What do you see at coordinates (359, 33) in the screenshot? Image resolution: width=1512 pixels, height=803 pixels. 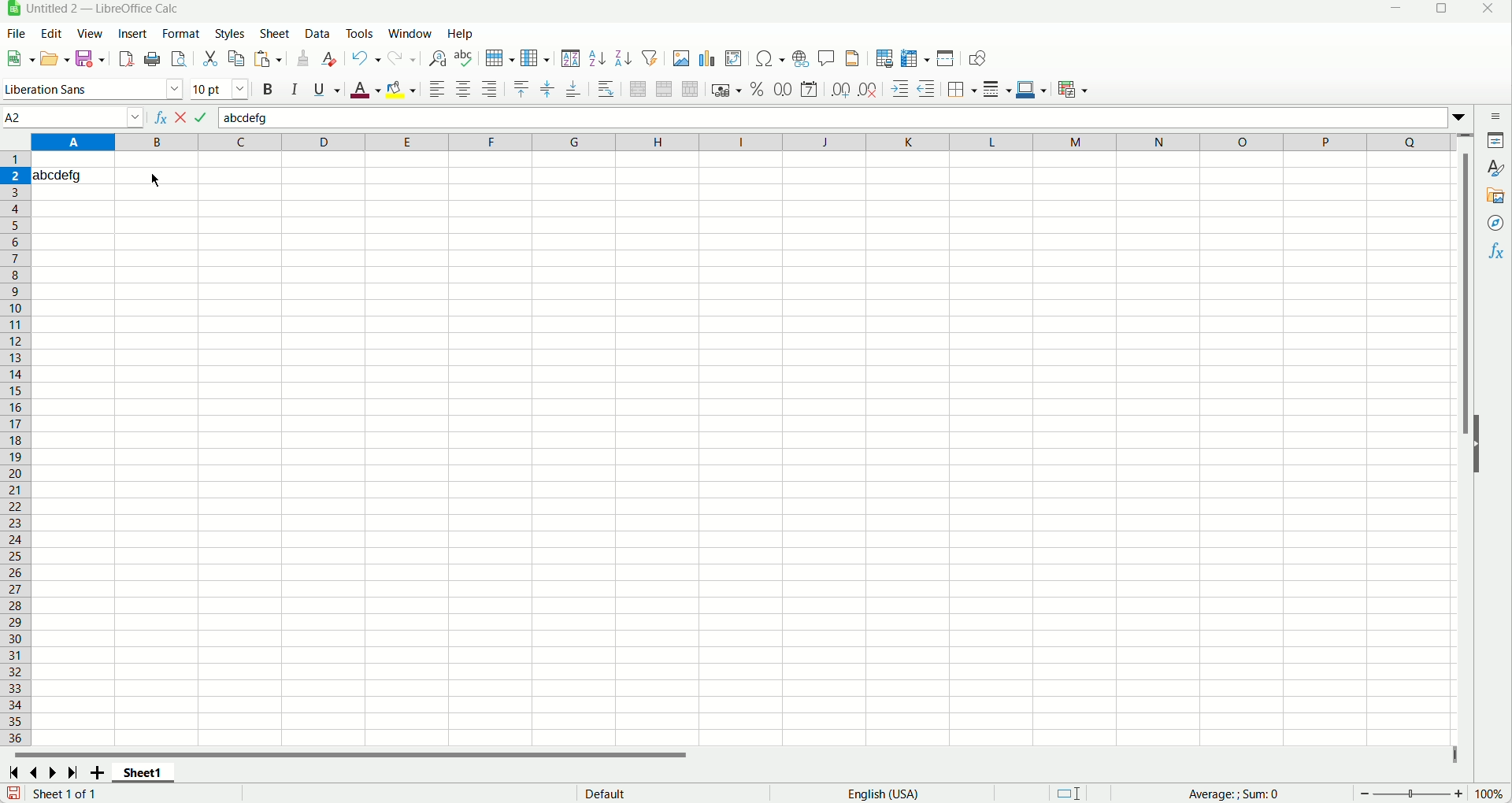 I see `tools` at bounding box center [359, 33].